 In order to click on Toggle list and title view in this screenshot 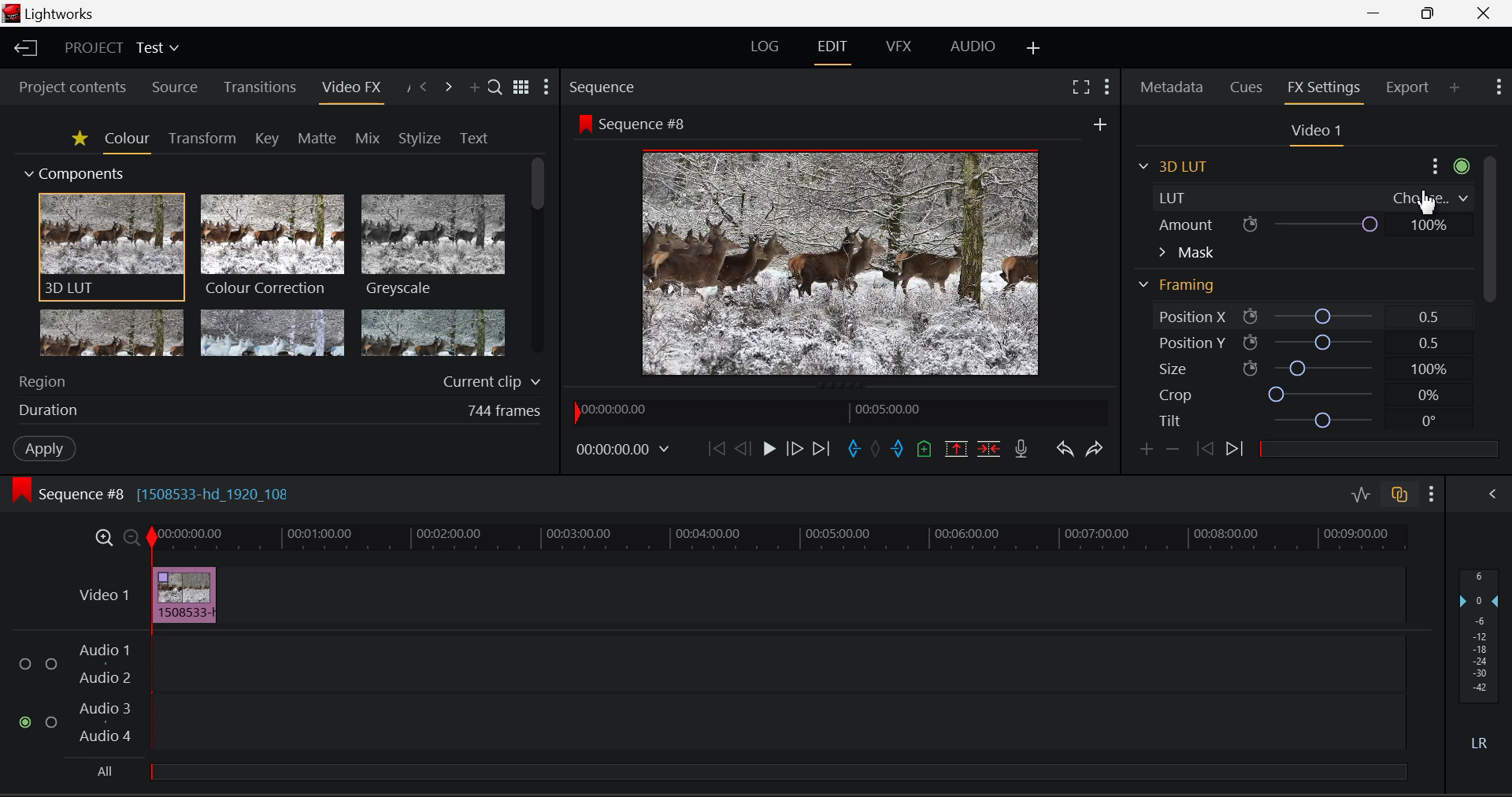, I will do `click(521, 85)`.